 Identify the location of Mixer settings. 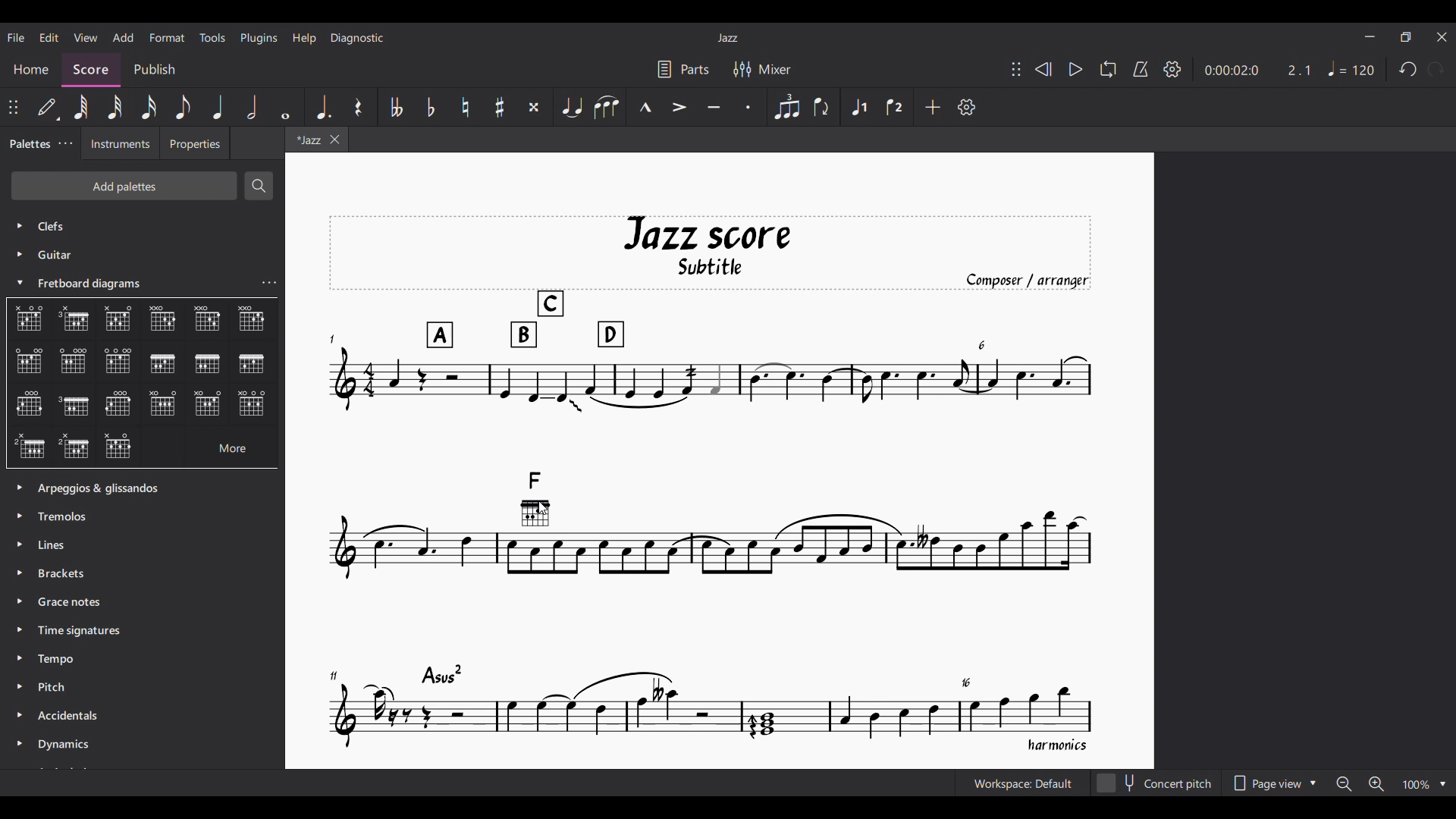
(762, 69).